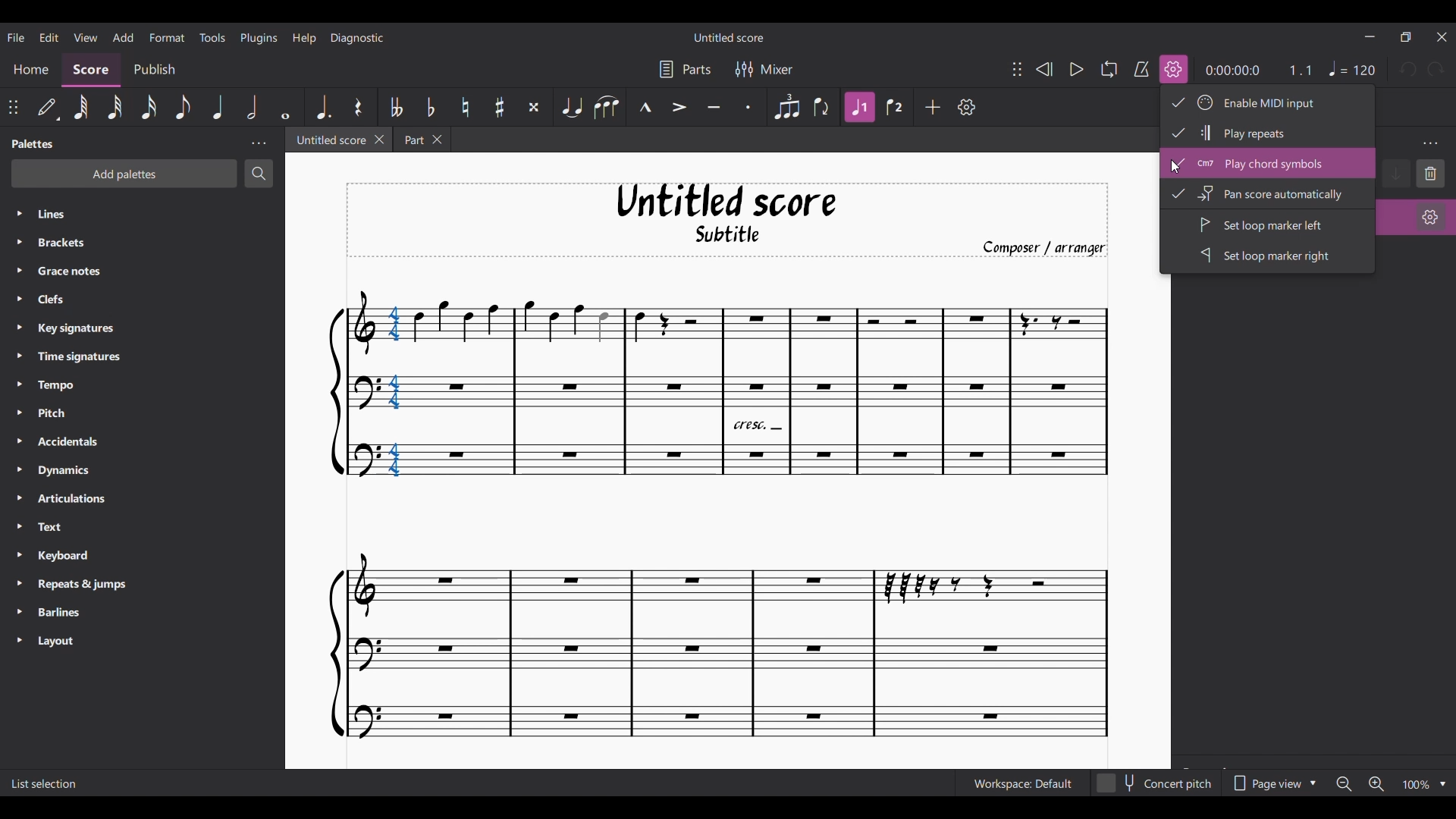 The height and width of the screenshot is (819, 1456). What do you see at coordinates (80, 108) in the screenshot?
I see `64th note` at bounding box center [80, 108].